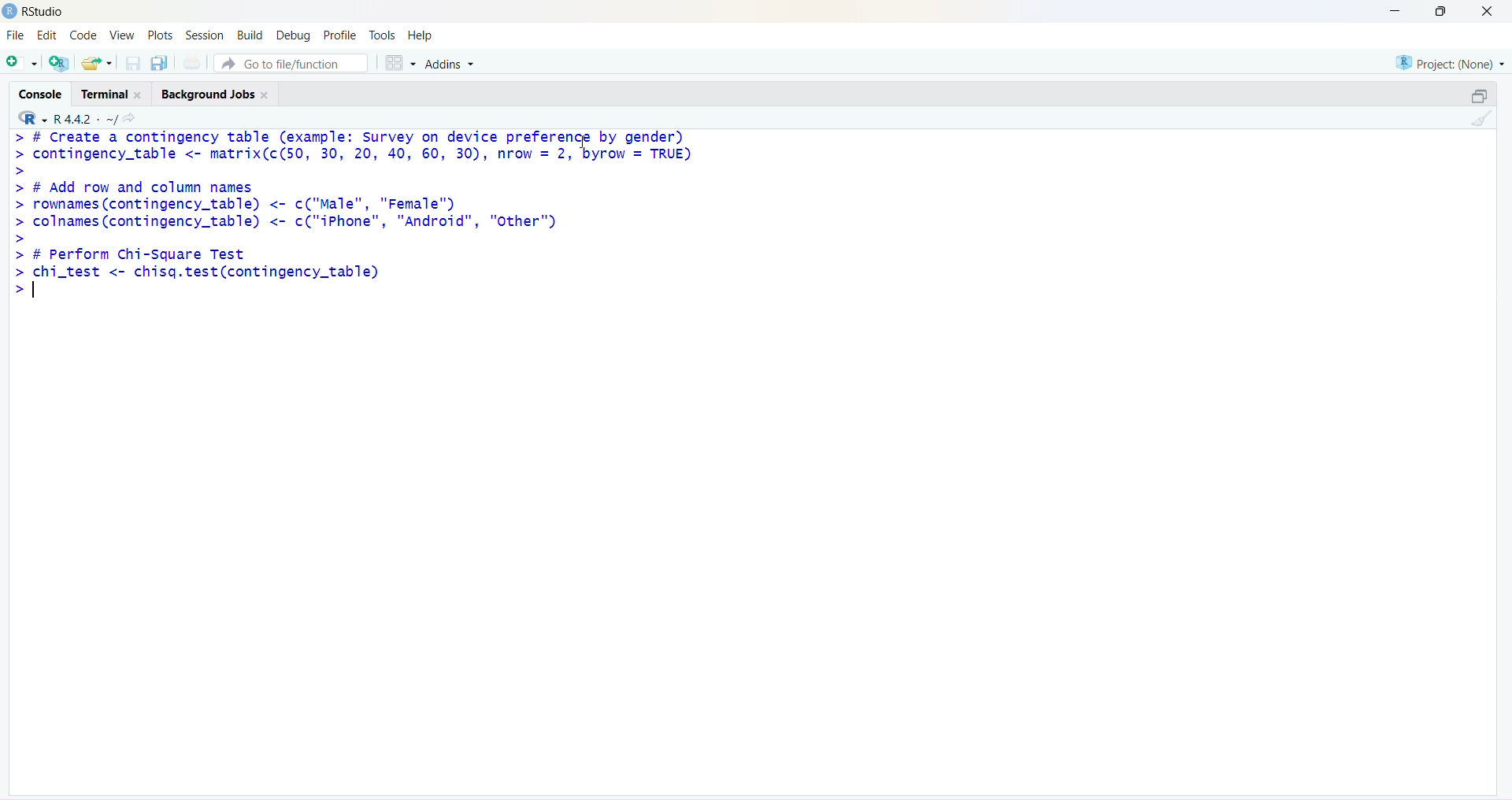 This screenshot has height=800, width=1512. What do you see at coordinates (32, 117) in the screenshot?
I see `R` at bounding box center [32, 117].